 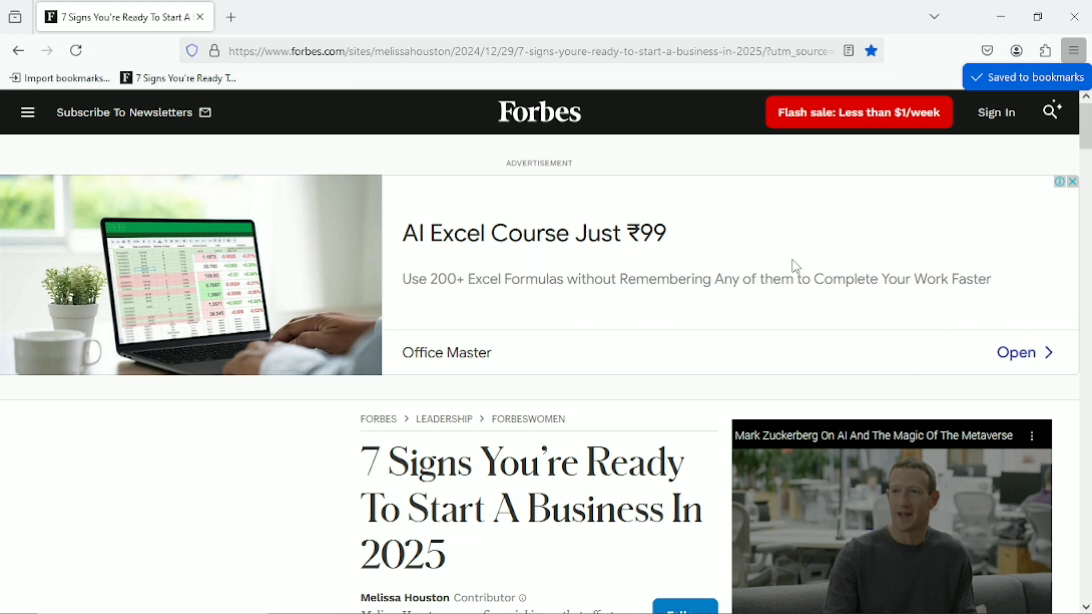 I want to click on list all tabs, so click(x=934, y=16).